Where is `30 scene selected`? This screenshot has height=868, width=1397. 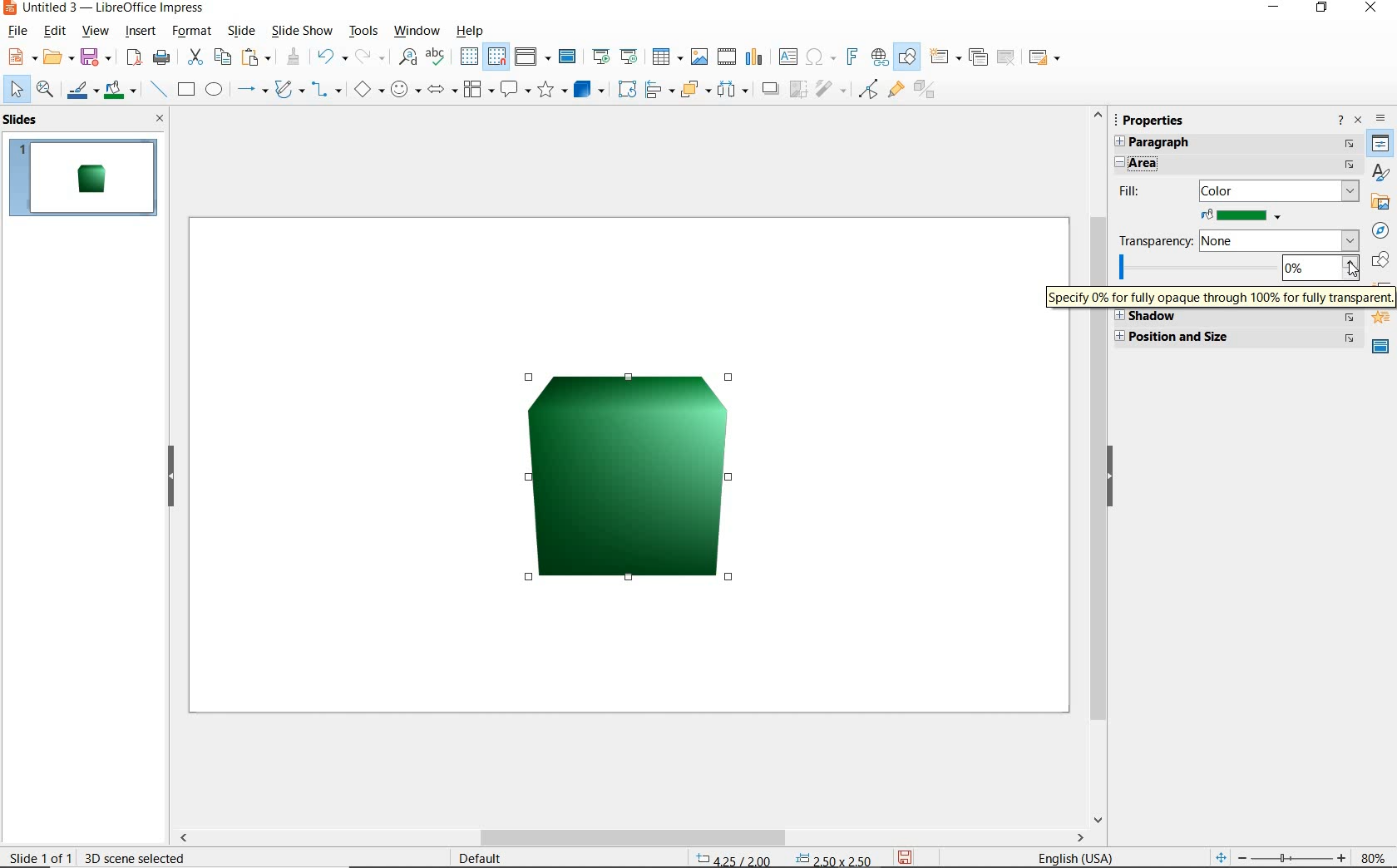 30 scene selected is located at coordinates (136, 858).